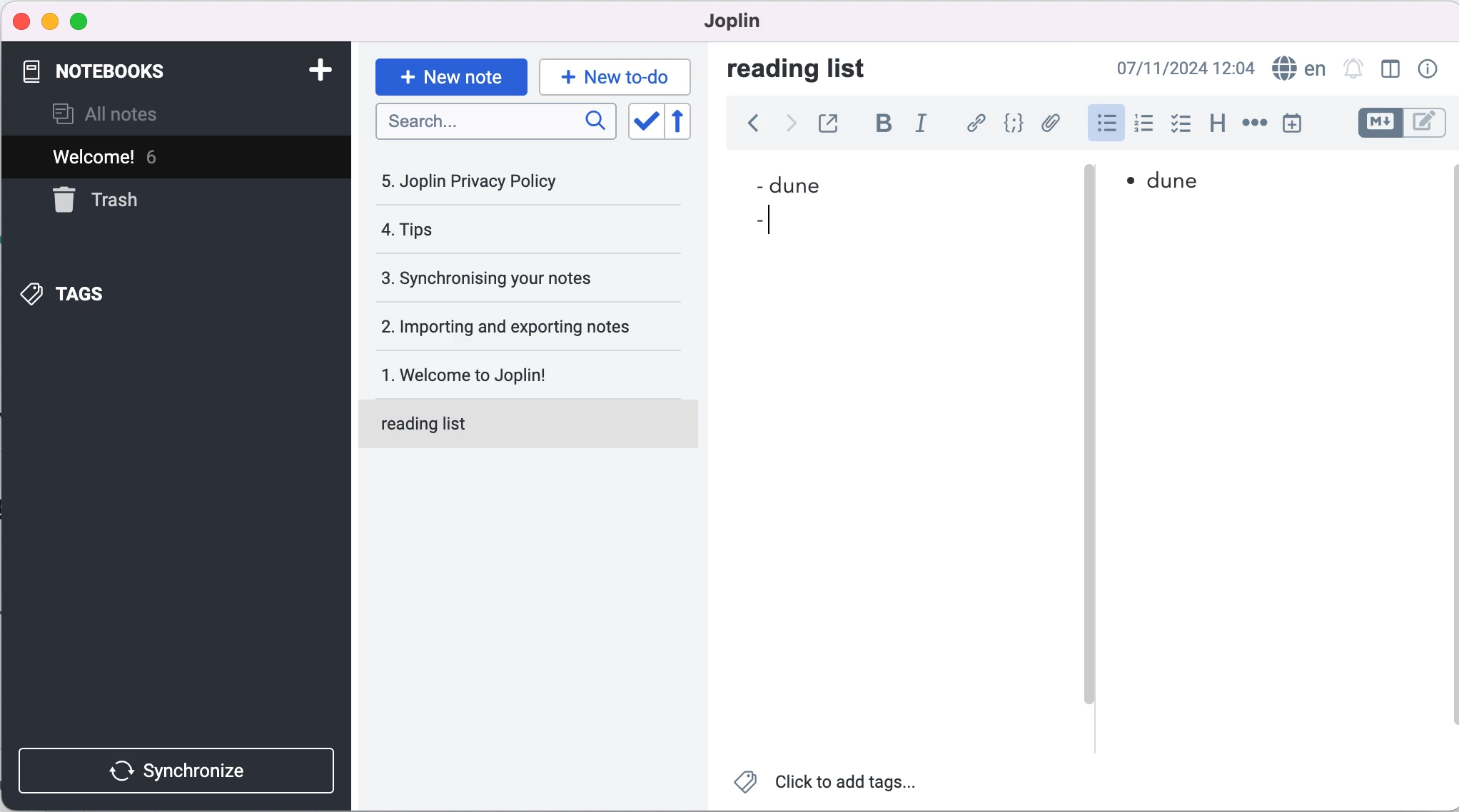 Image resolution: width=1459 pixels, height=812 pixels. Describe the element at coordinates (499, 186) in the screenshot. I see `joplin privacy policy` at that location.